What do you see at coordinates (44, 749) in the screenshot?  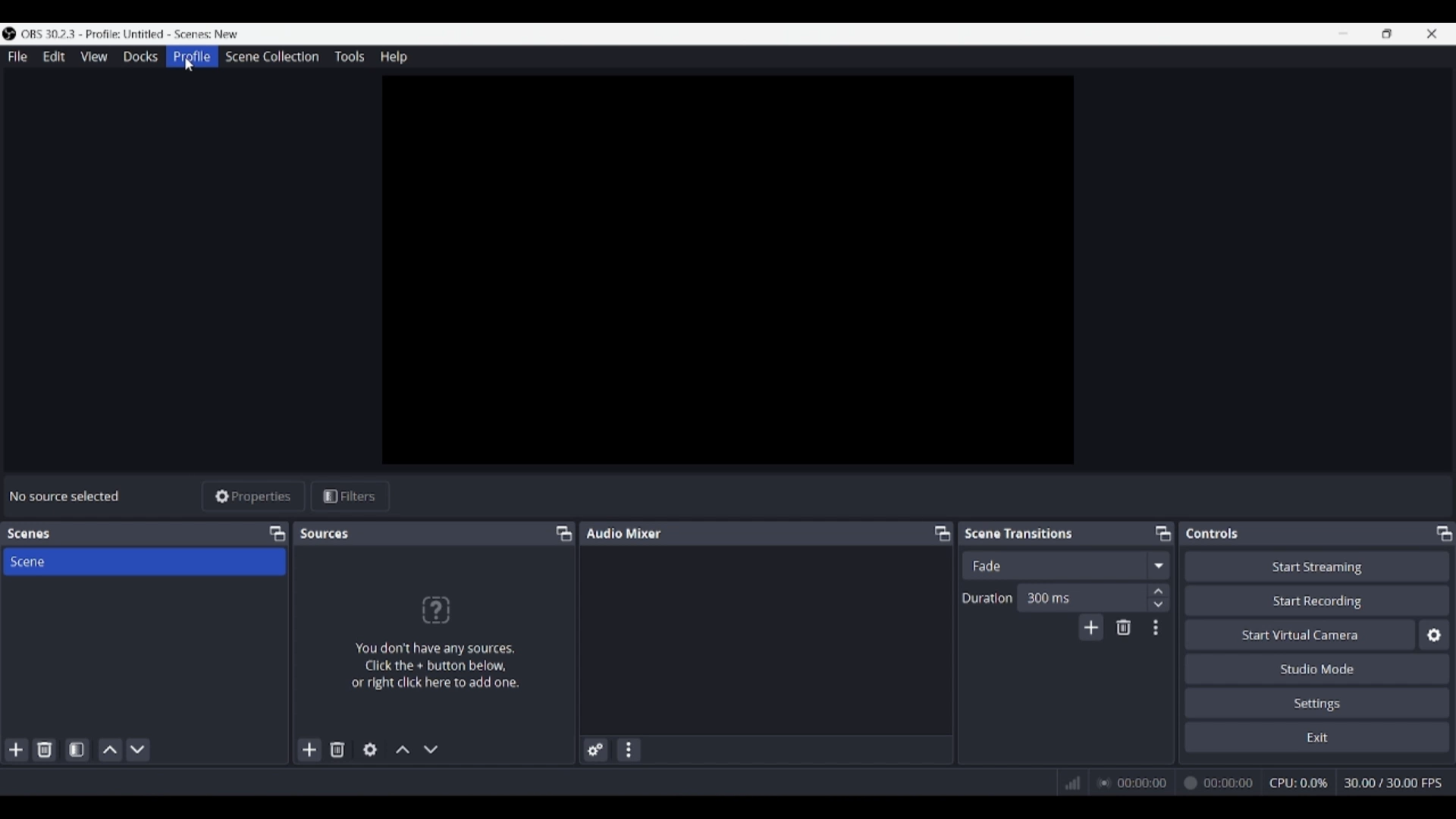 I see `Delete selected scene` at bounding box center [44, 749].